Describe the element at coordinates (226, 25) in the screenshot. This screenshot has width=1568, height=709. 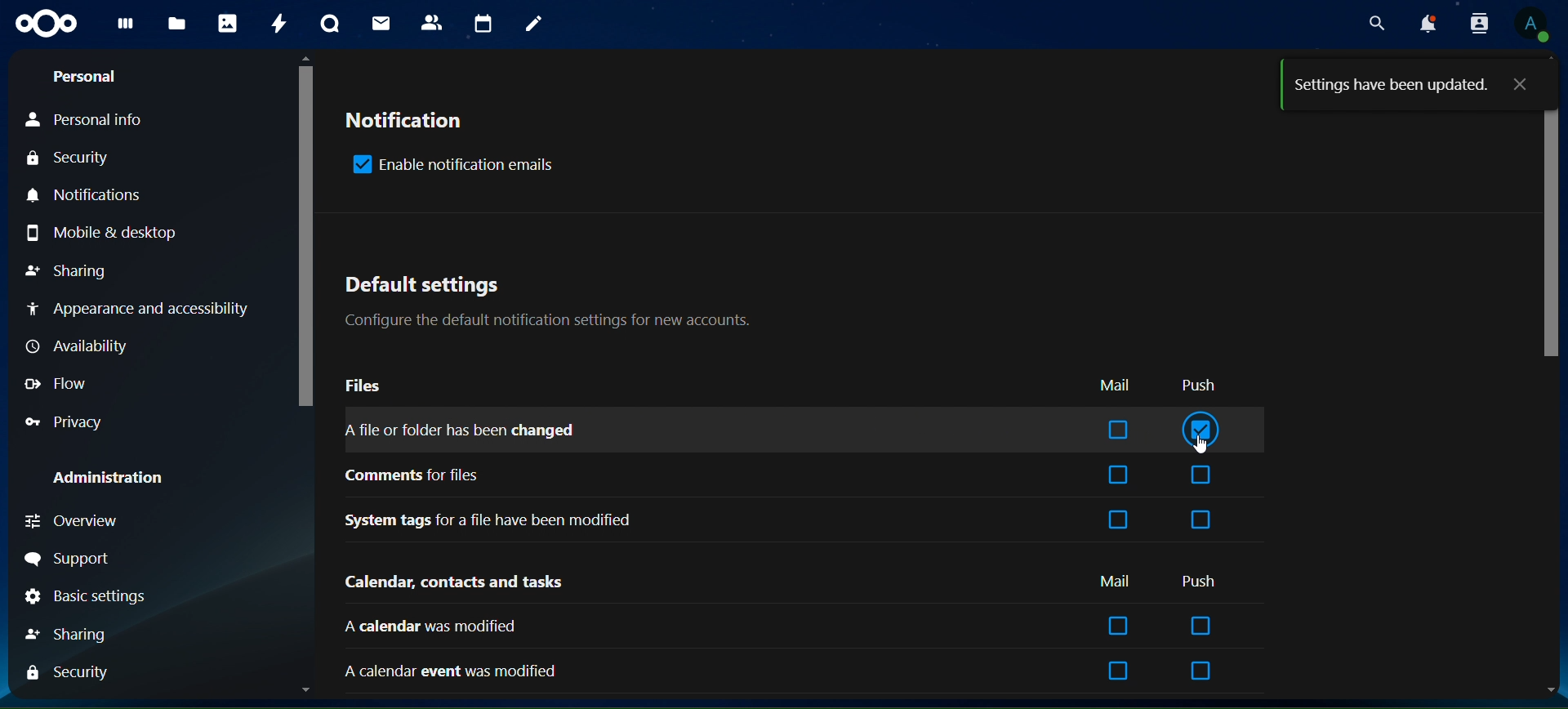
I see `photos` at that location.